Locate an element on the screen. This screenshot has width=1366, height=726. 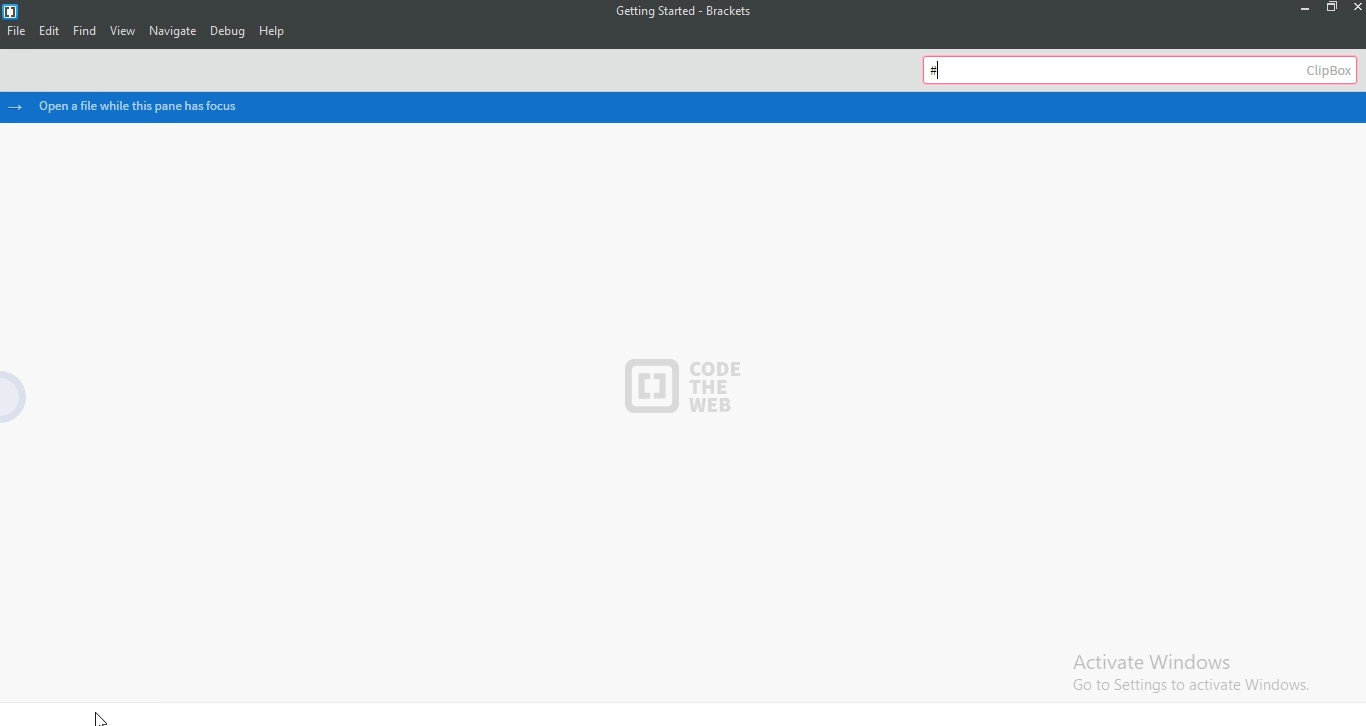
find is located at coordinates (86, 34).